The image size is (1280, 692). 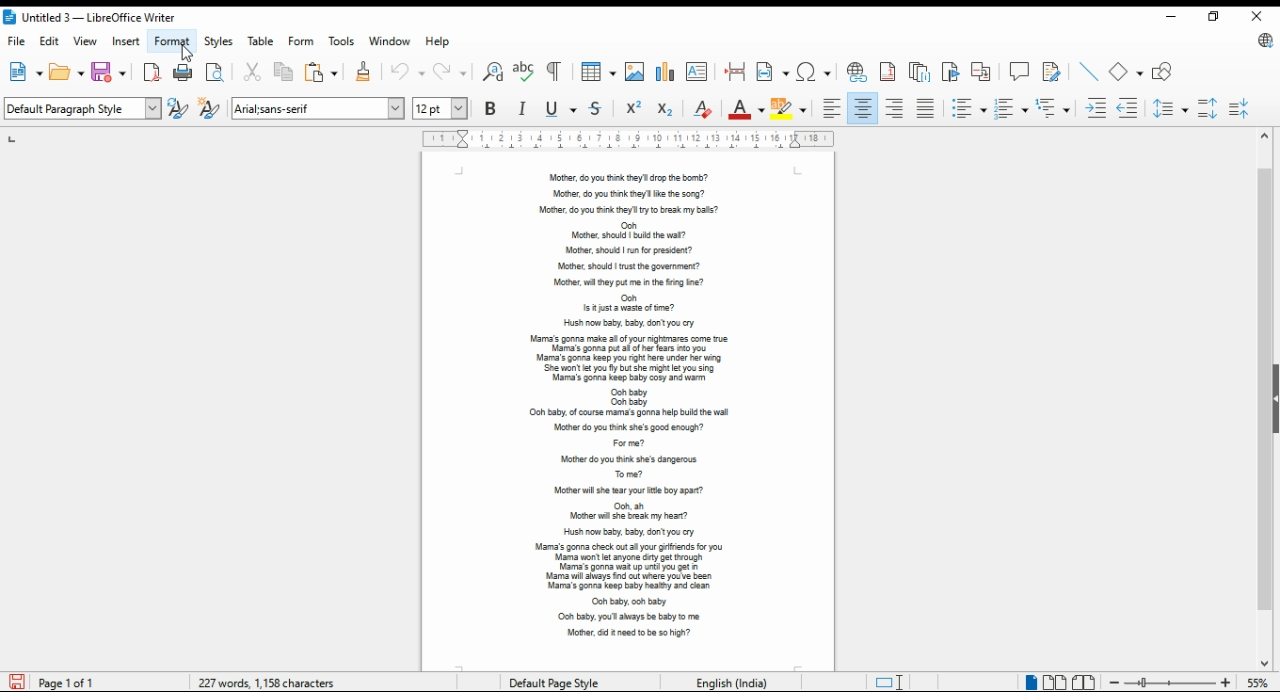 I want to click on open, so click(x=66, y=72).